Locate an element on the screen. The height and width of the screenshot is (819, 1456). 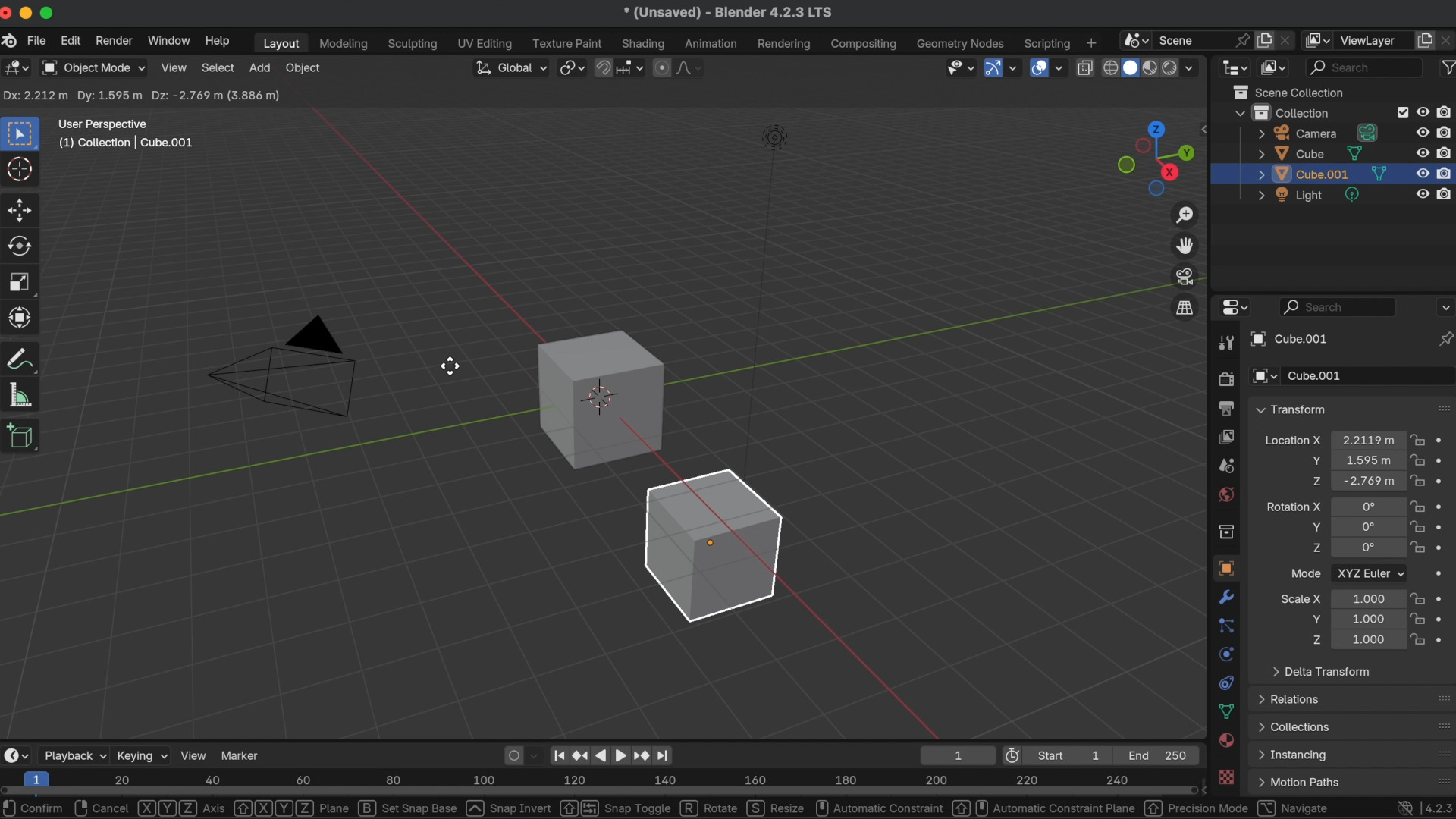
gizmos is located at coordinates (1014, 68).